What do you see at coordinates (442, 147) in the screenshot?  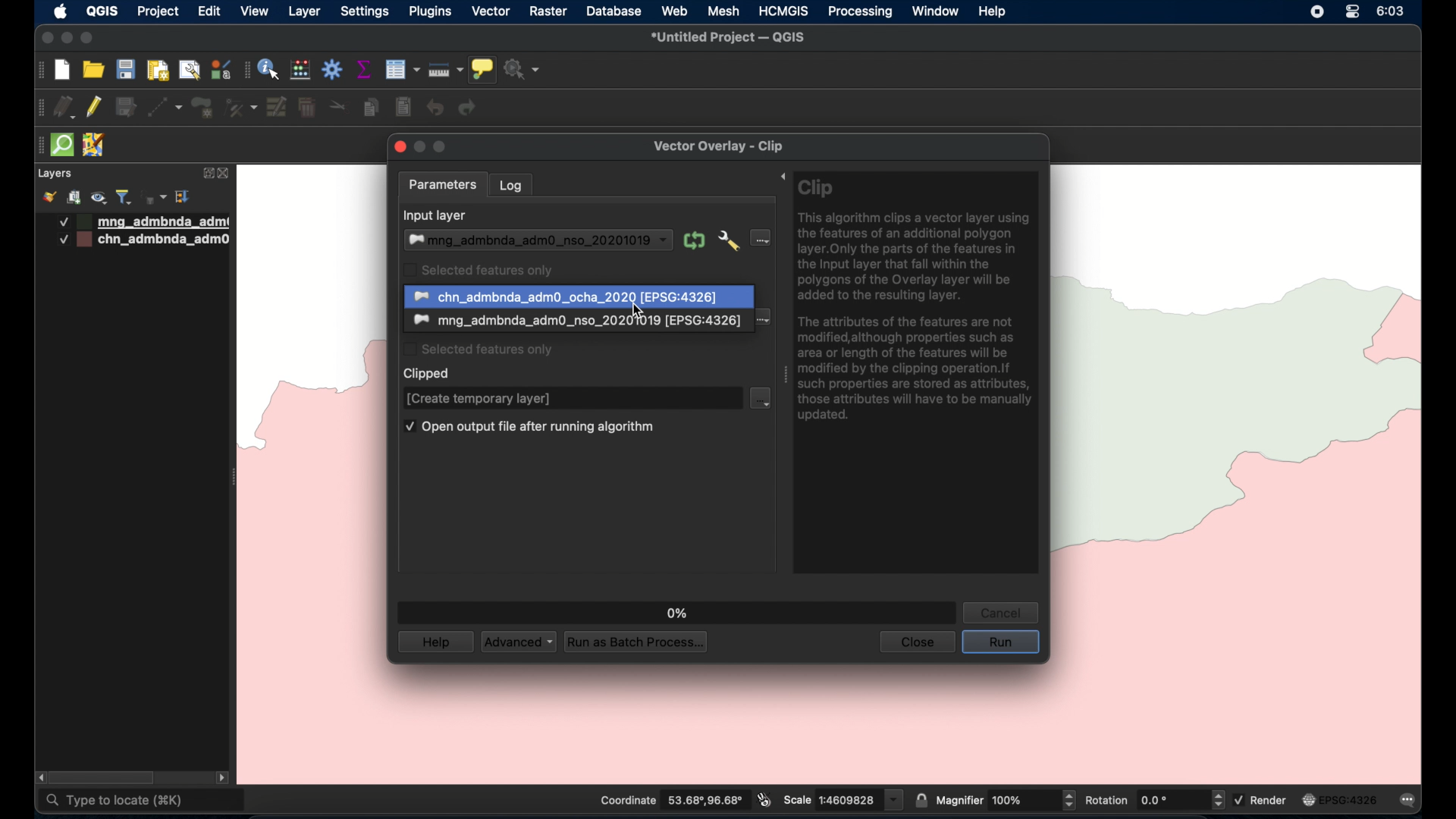 I see `maximize` at bounding box center [442, 147].